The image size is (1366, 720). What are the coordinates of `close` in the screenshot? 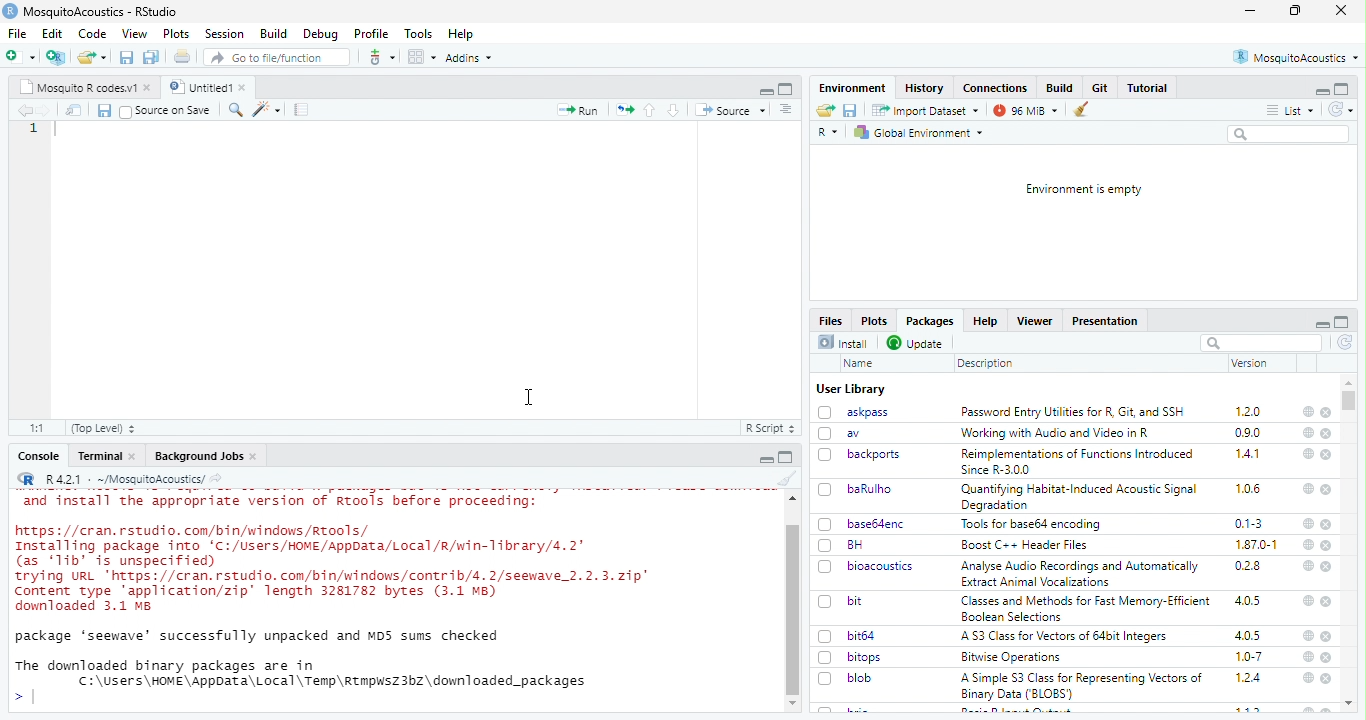 It's located at (1326, 455).